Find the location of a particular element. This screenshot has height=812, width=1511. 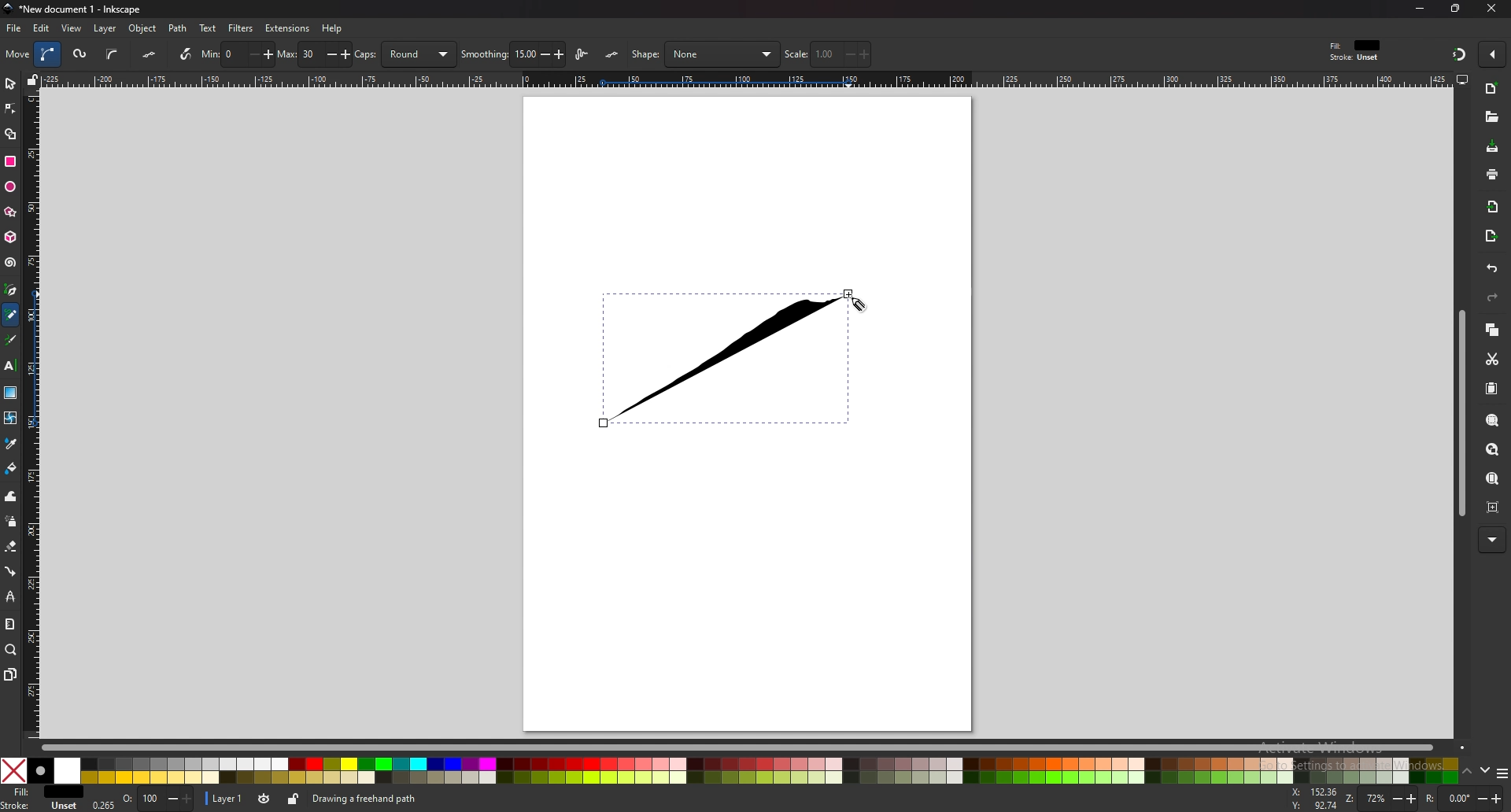

layer visibility is located at coordinates (263, 799).